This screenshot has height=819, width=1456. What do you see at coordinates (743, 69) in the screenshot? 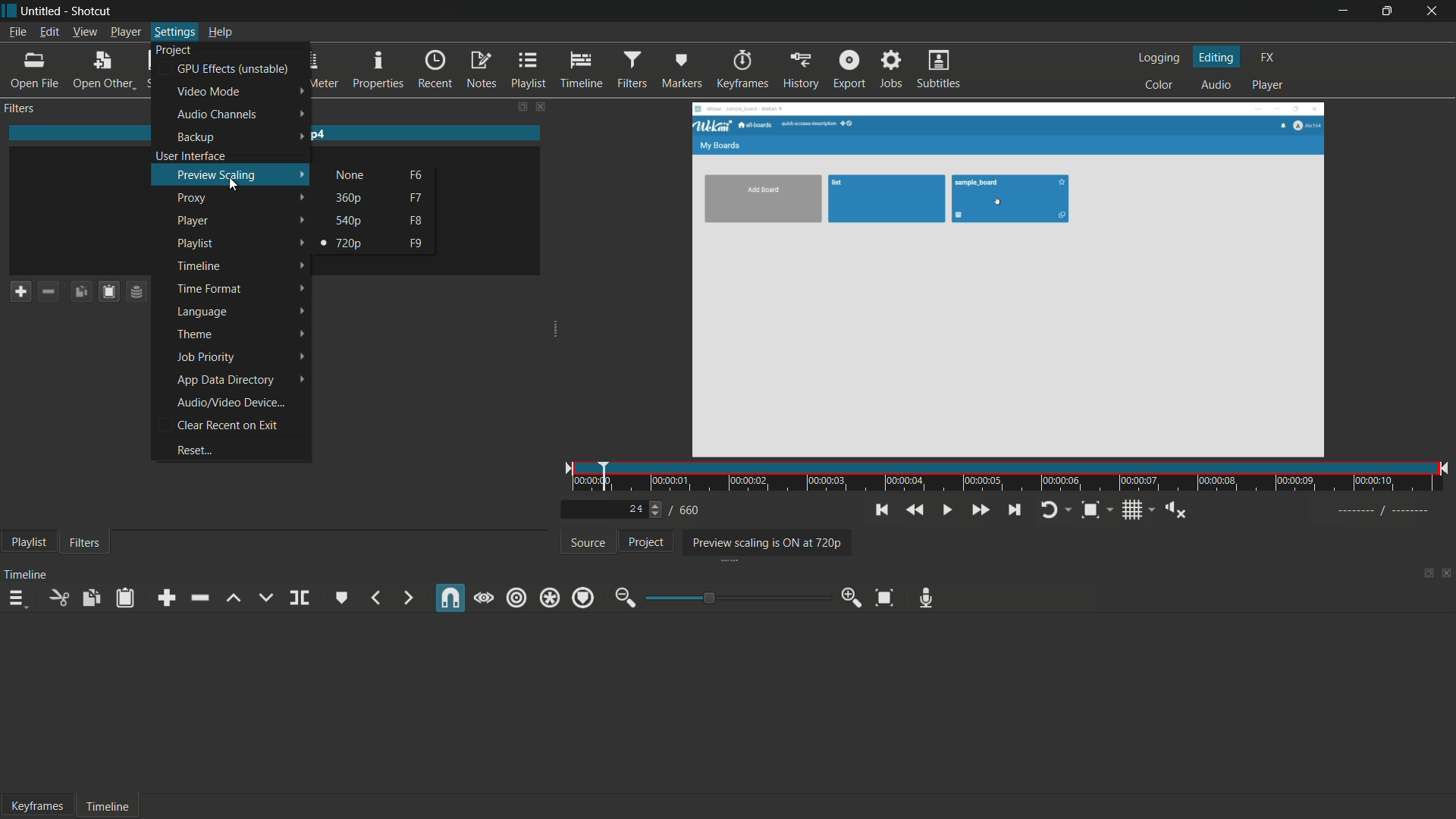
I see `keyframes` at bounding box center [743, 69].